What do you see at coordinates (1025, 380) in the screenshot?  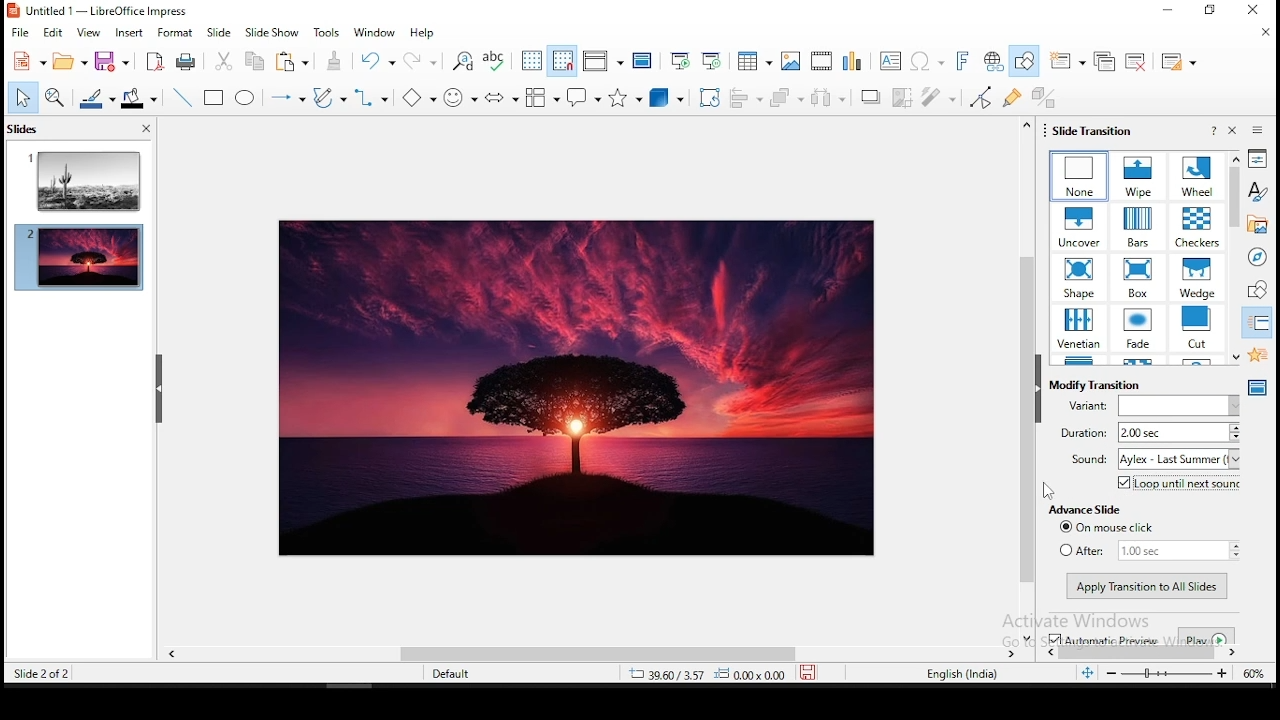 I see `scroll bar` at bounding box center [1025, 380].